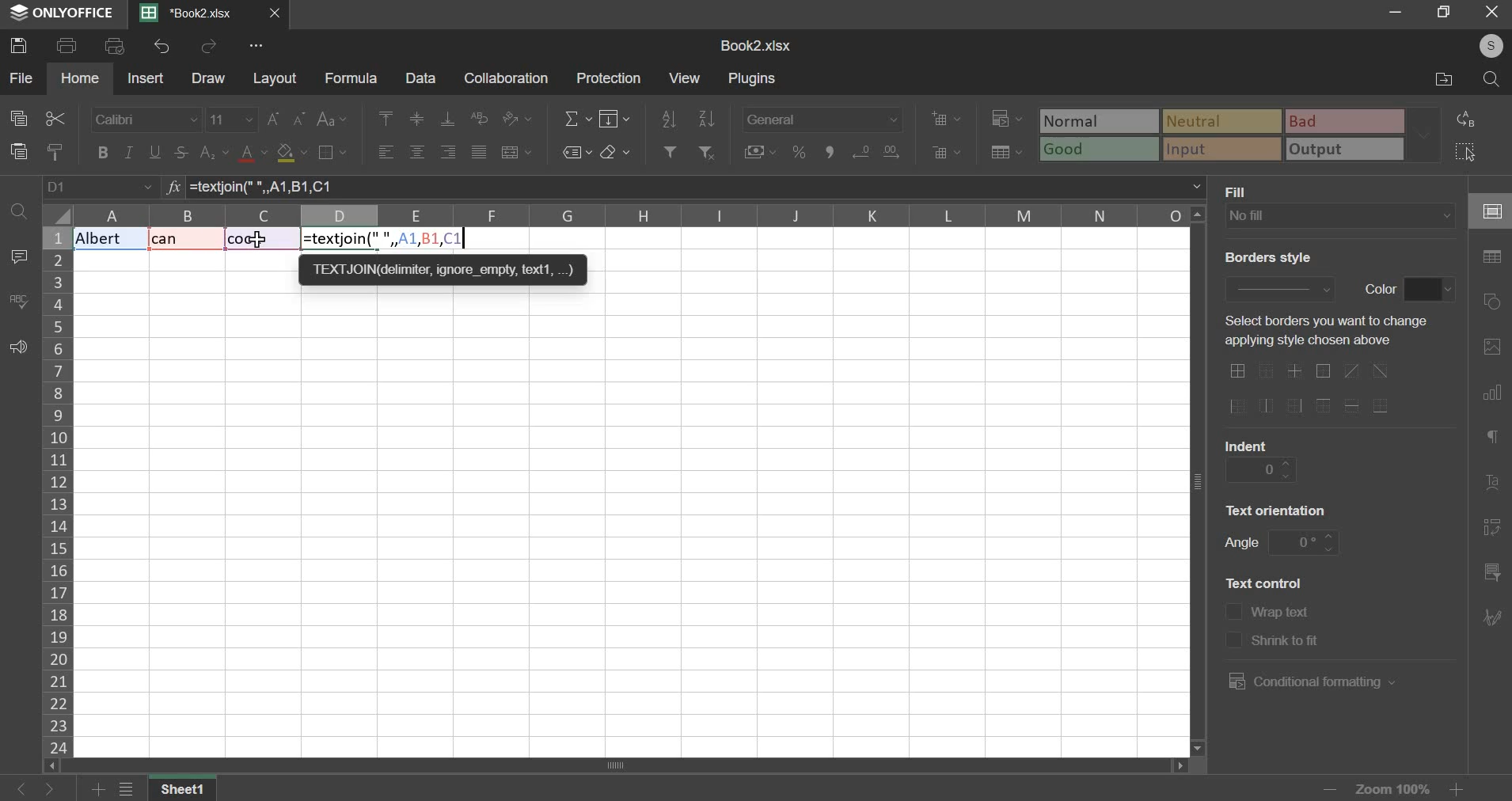  Describe the element at coordinates (18, 256) in the screenshot. I see `comment` at that location.